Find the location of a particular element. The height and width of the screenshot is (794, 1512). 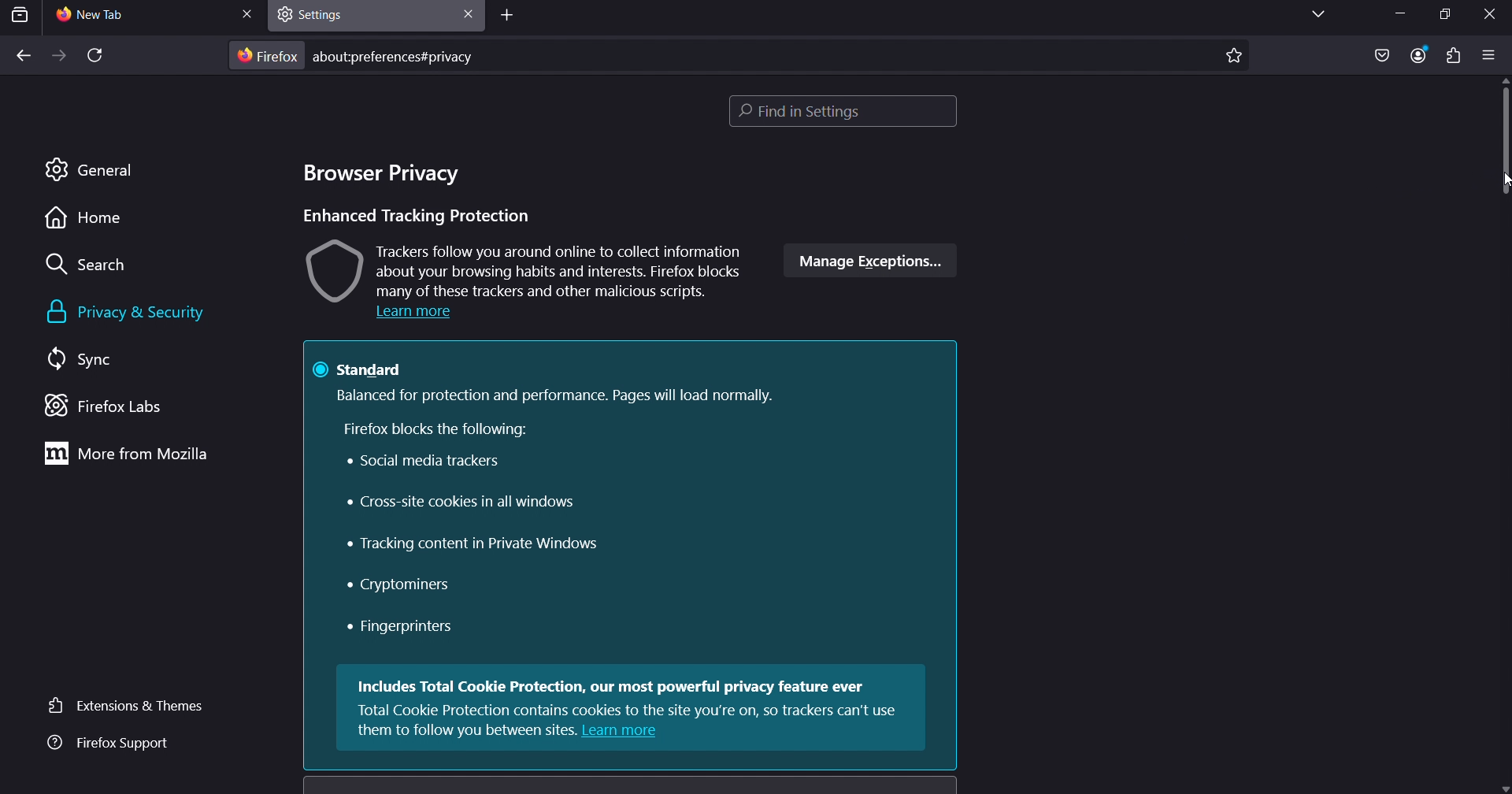

close is located at coordinates (247, 13).